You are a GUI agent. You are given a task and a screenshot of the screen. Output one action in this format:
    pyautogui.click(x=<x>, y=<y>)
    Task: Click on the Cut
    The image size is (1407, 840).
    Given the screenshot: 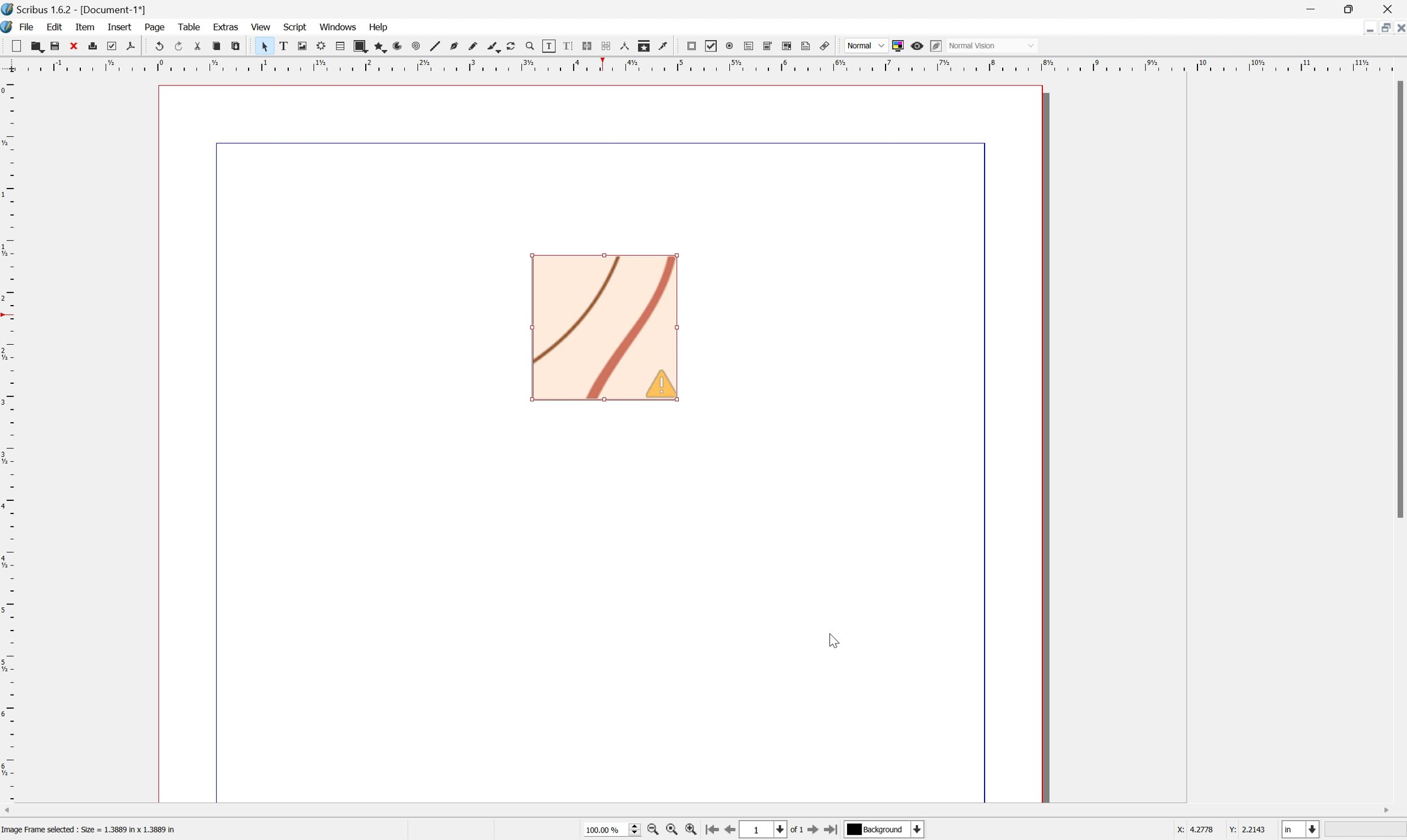 What is the action you would take?
    pyautogui.click(x=197, y=45)
    